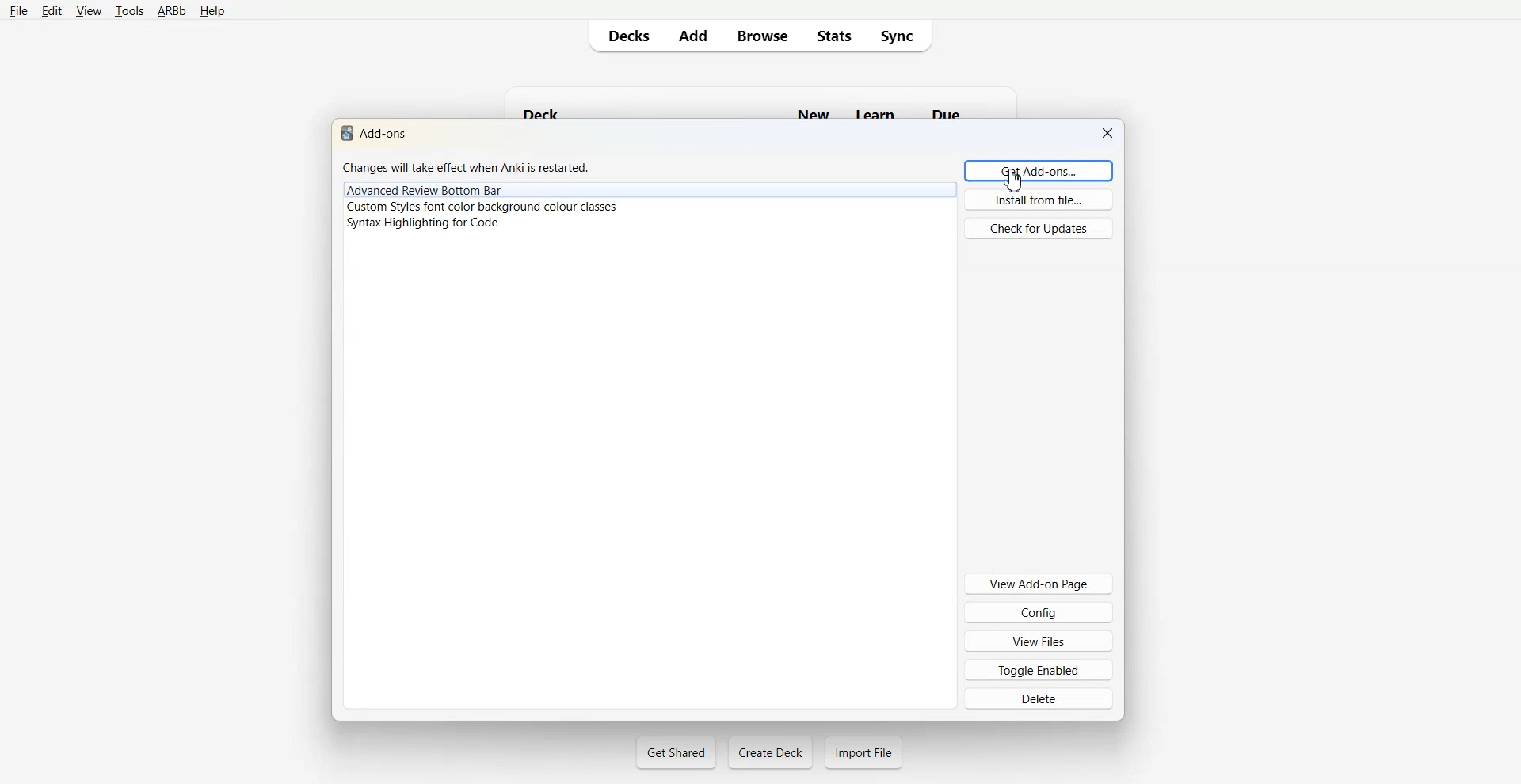 The image size is (1521, 784). Describe the element at coordinates (771, 753) in the screenshot. I see `Create Deck` at that location.